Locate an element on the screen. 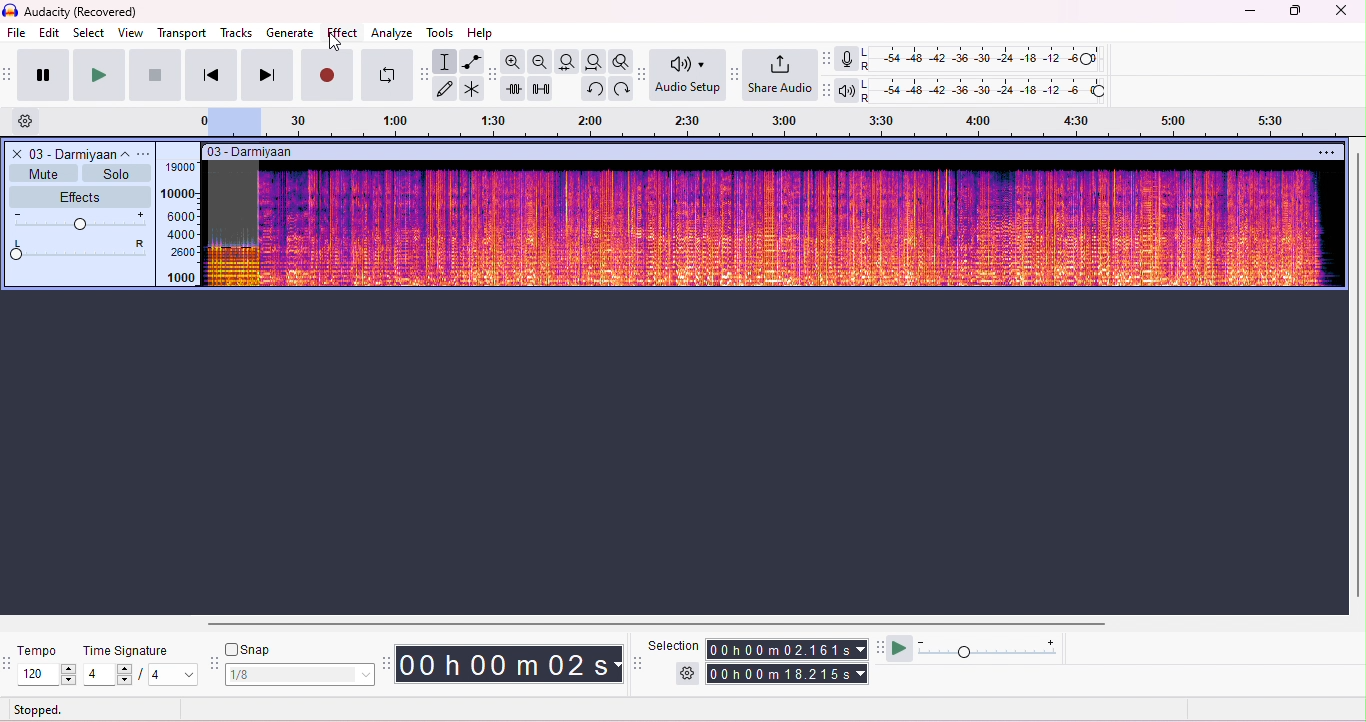  edit toolbar is located at coordinates (493, 74).